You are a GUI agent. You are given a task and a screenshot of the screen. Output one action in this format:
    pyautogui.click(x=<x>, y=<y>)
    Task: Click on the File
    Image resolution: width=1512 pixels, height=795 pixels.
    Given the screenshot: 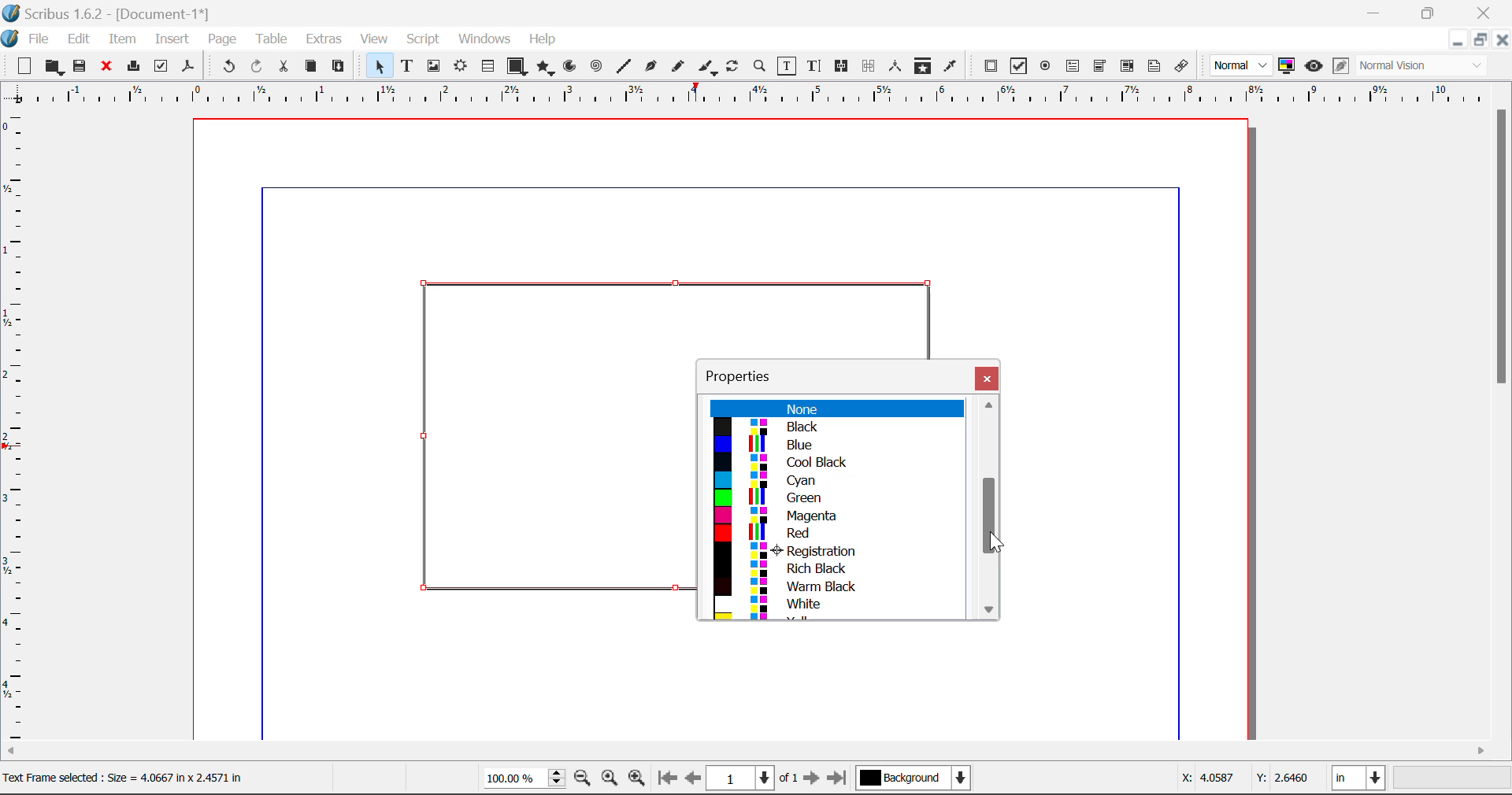 What is the action you would take?
    pyautogui.click(x=28, y=37)
    